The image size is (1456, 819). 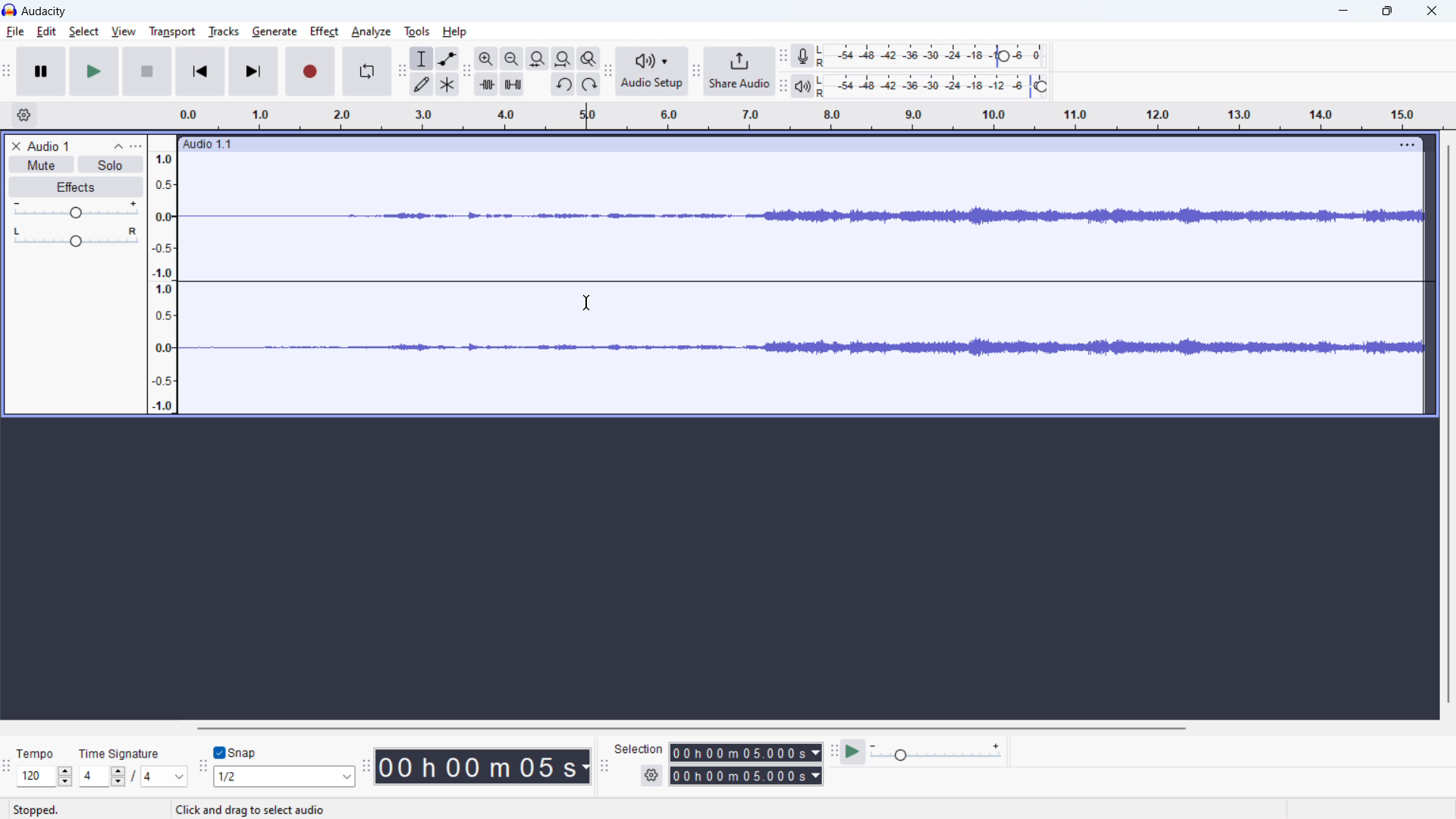 What do you see at coordinates (587, 301) in the screenshot?
I see `cursor` at bounding box center [587, 301].